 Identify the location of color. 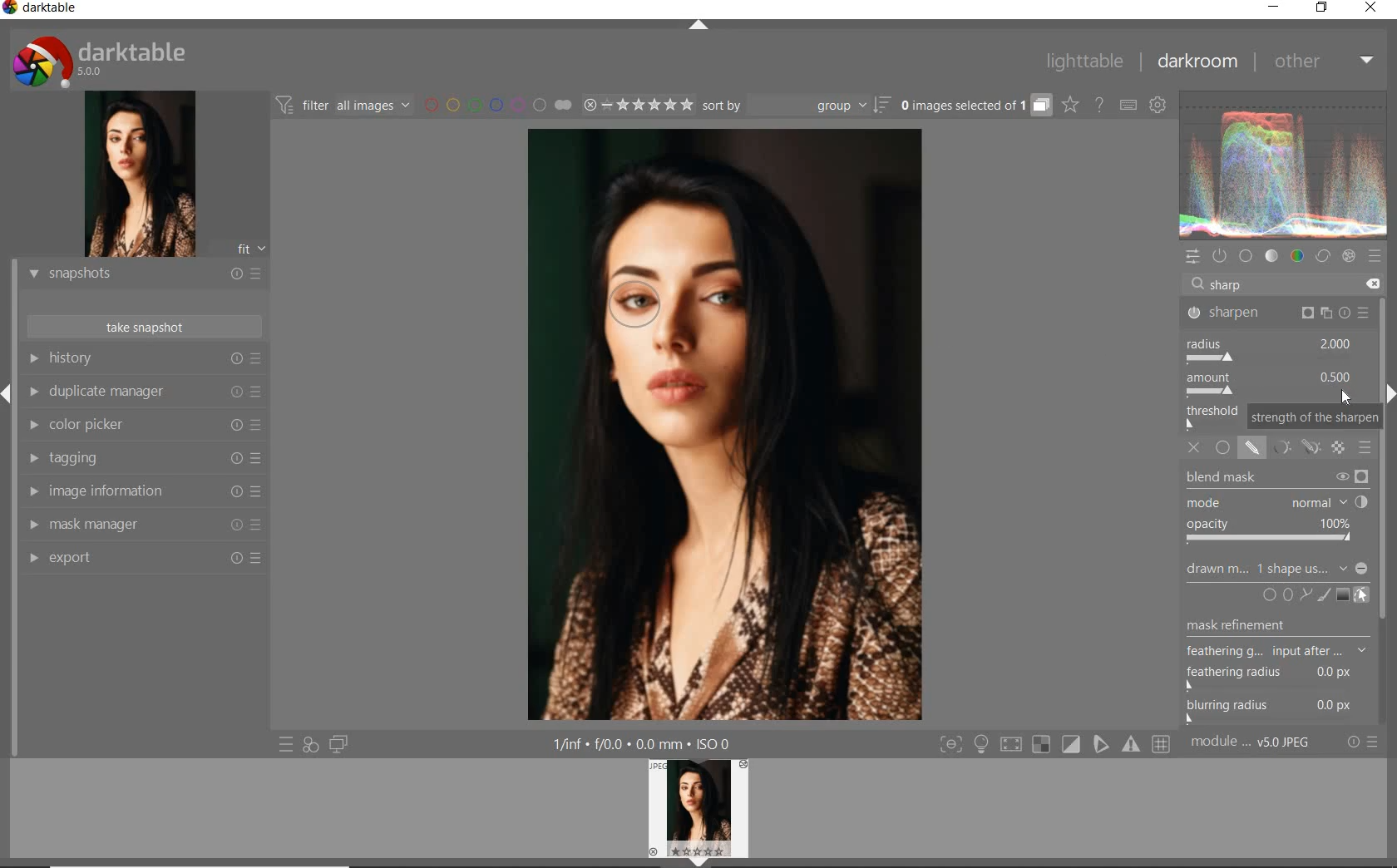
(1298, 257).